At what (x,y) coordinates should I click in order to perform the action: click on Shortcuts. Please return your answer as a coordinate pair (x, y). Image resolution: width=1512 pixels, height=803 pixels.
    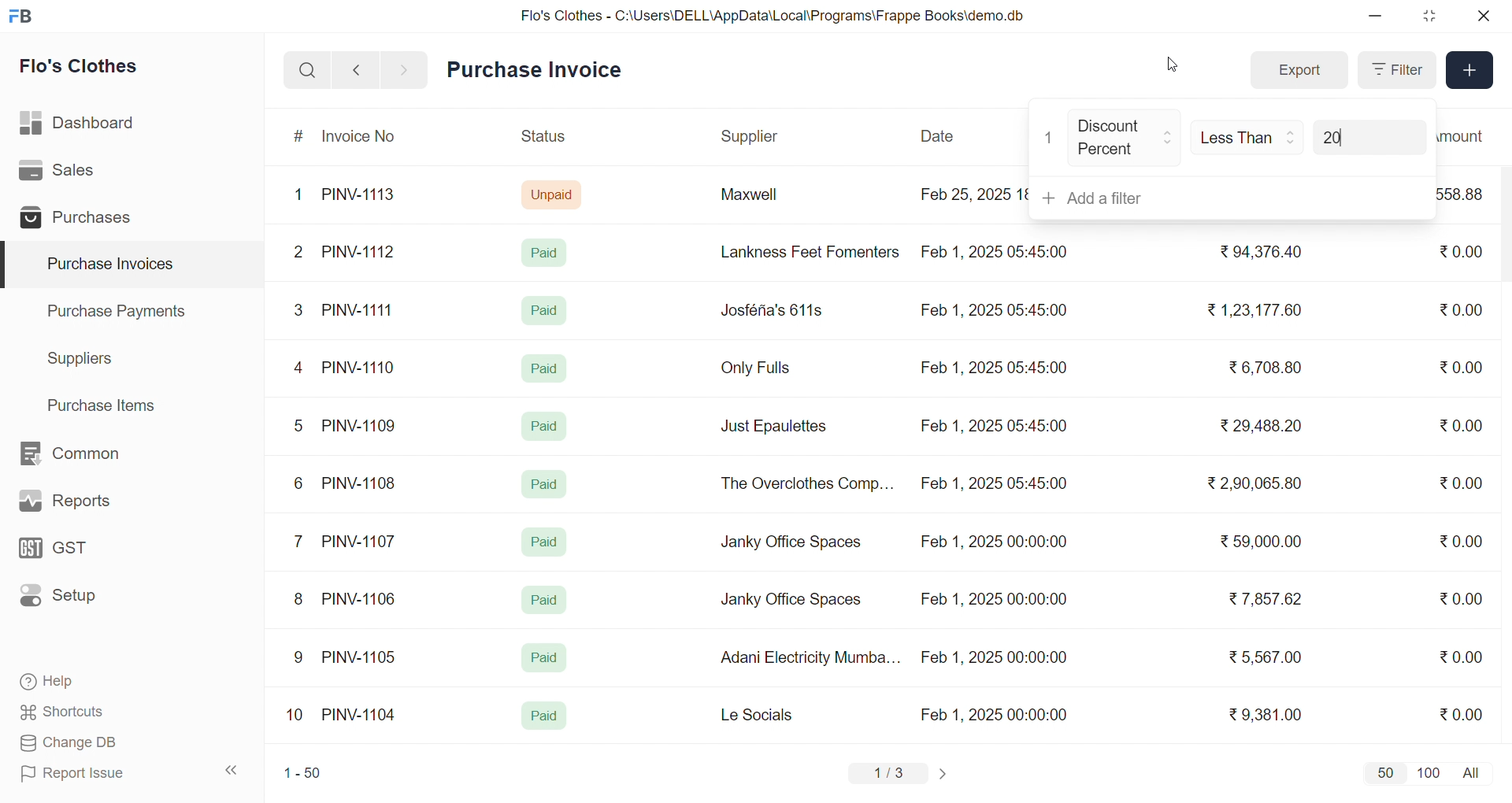
    Looking at the image, I should click on (99, 712).